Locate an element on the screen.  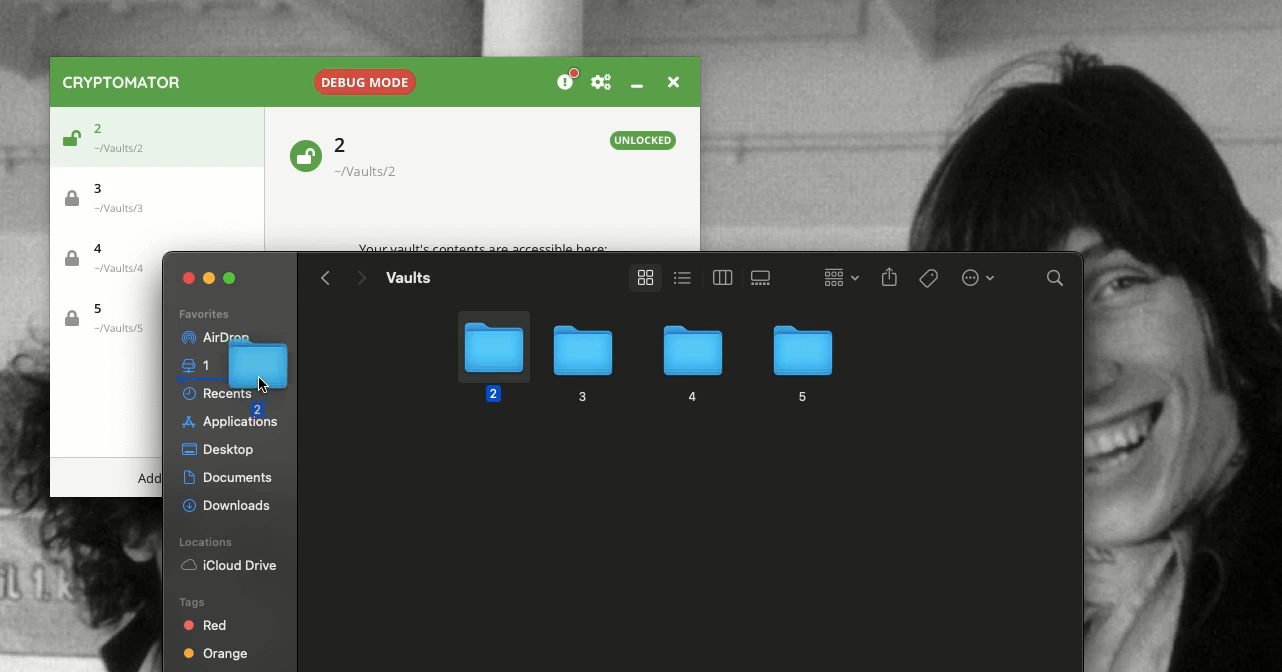
Recents is located at coordinates (200, 393).